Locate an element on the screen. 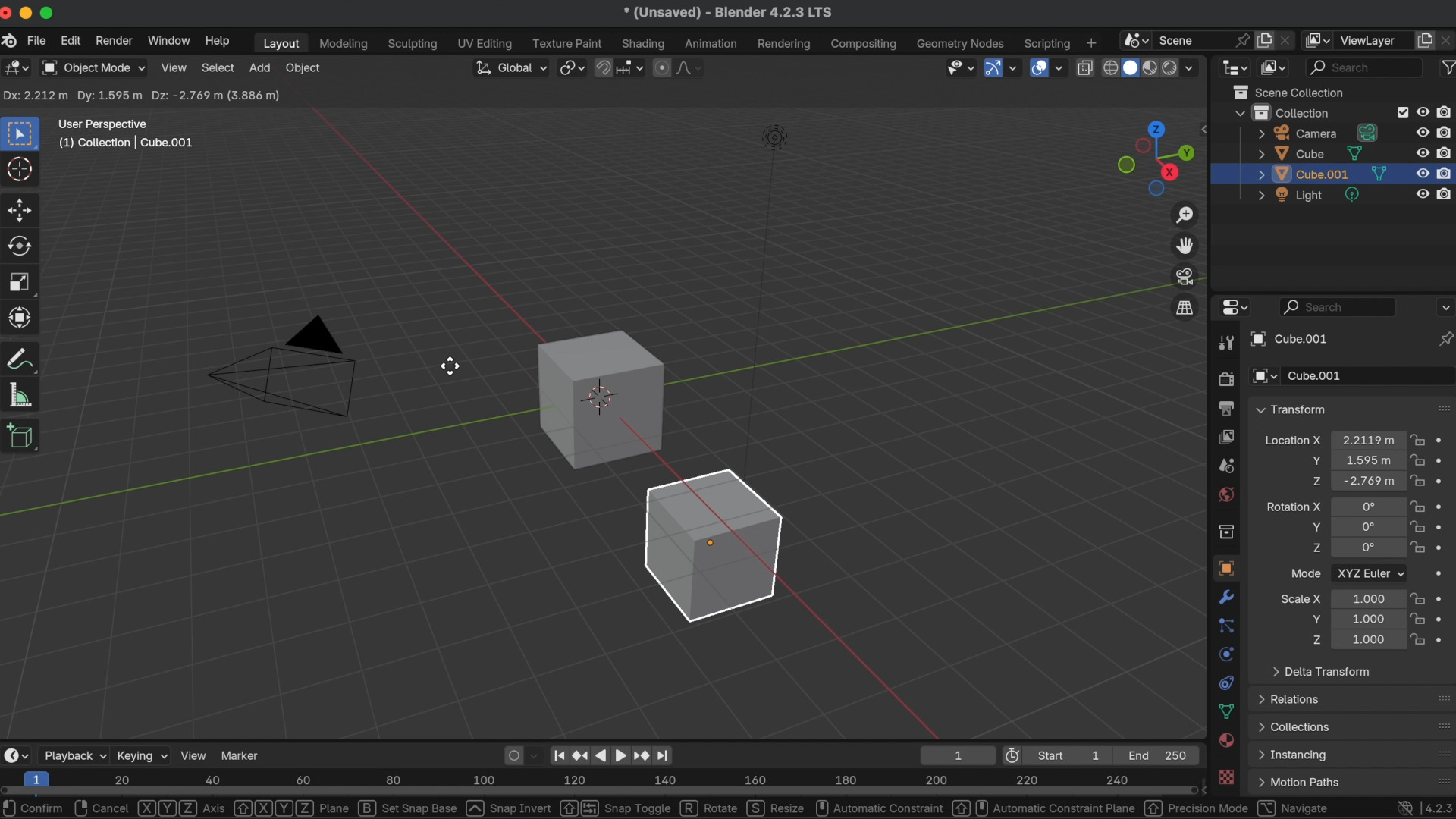  editor type is located at coordinates (1232, 308).